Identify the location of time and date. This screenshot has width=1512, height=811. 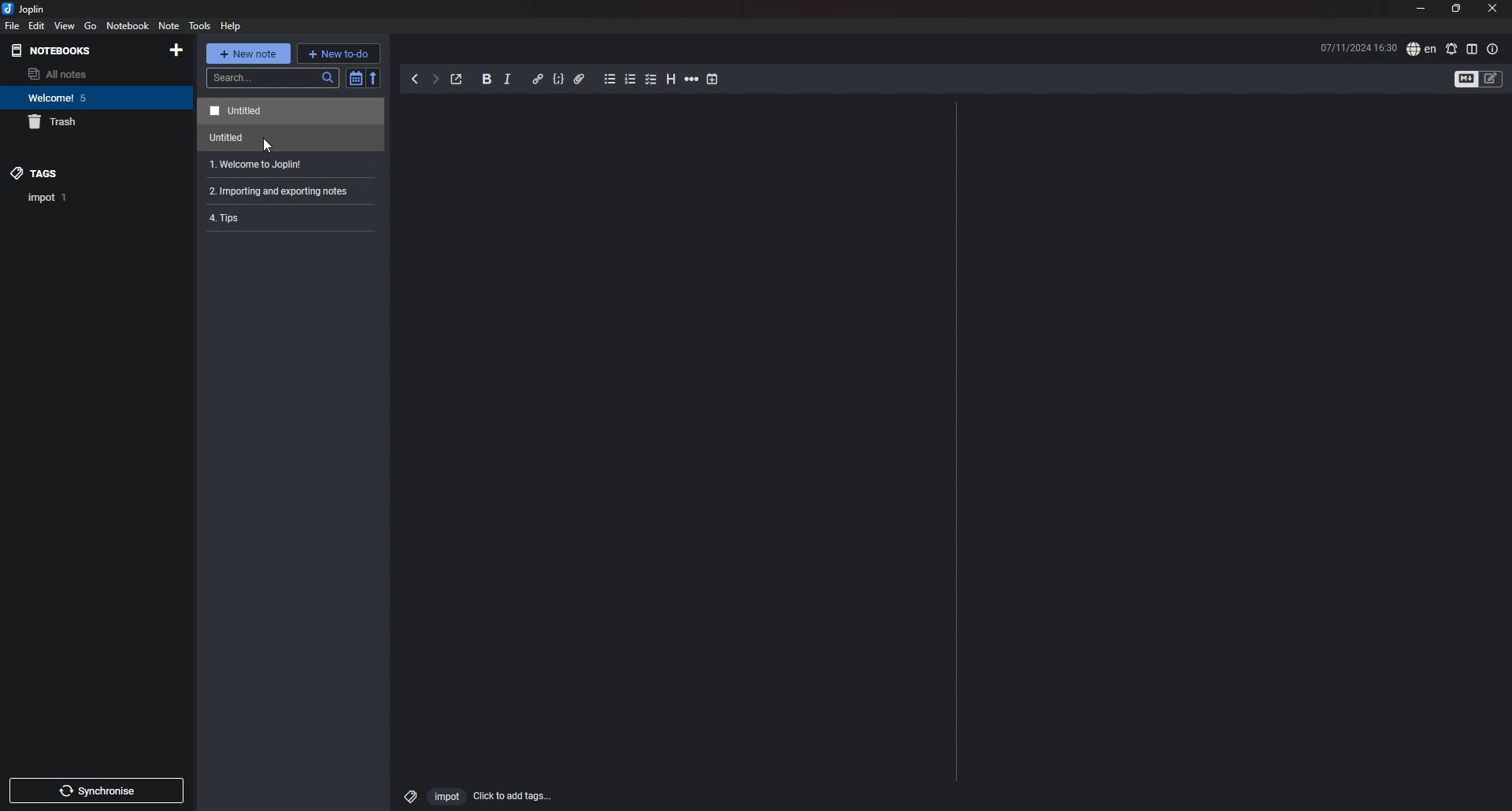
(1358, 47).